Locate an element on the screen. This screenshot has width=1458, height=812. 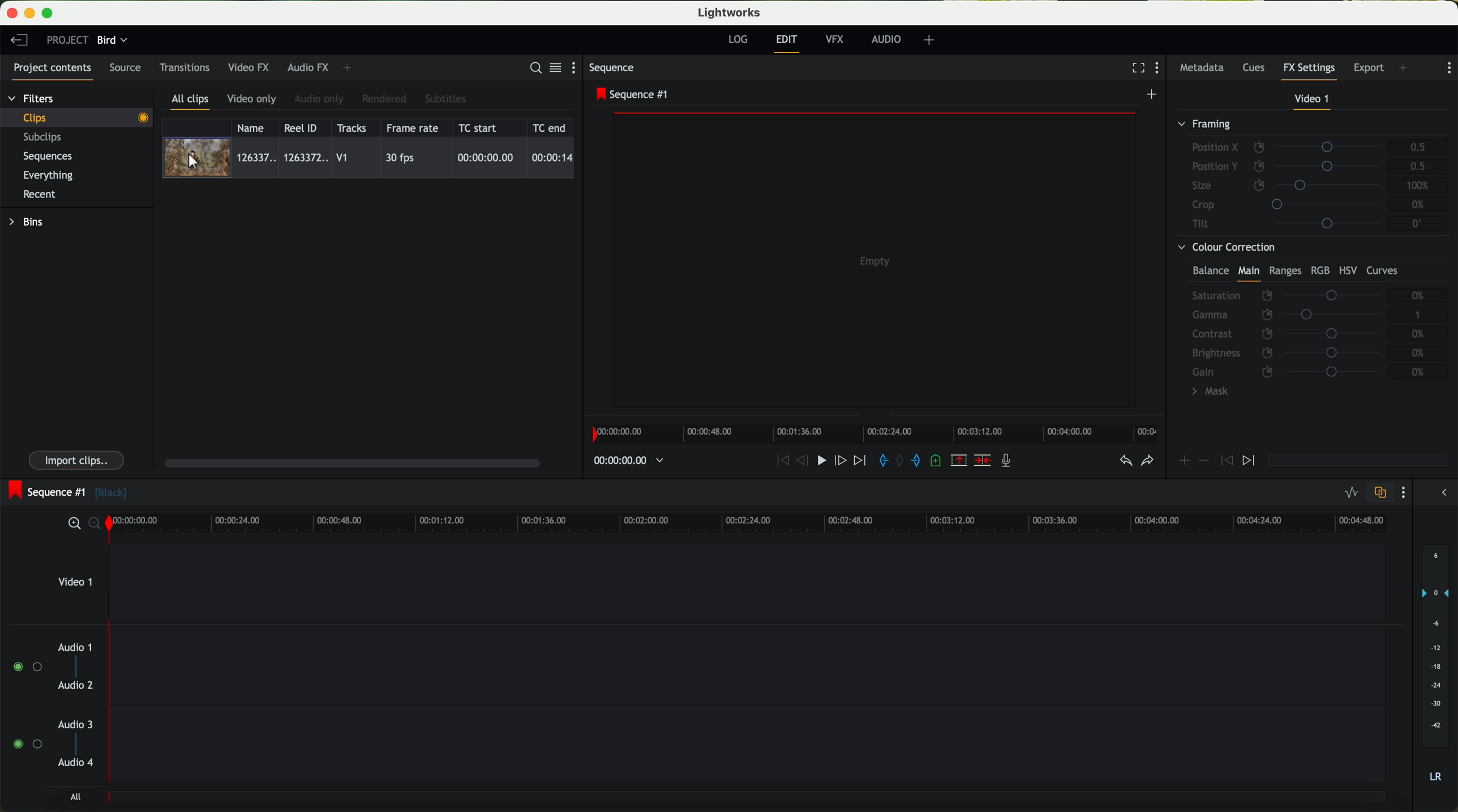
close program is located at coordinates (12, 13).